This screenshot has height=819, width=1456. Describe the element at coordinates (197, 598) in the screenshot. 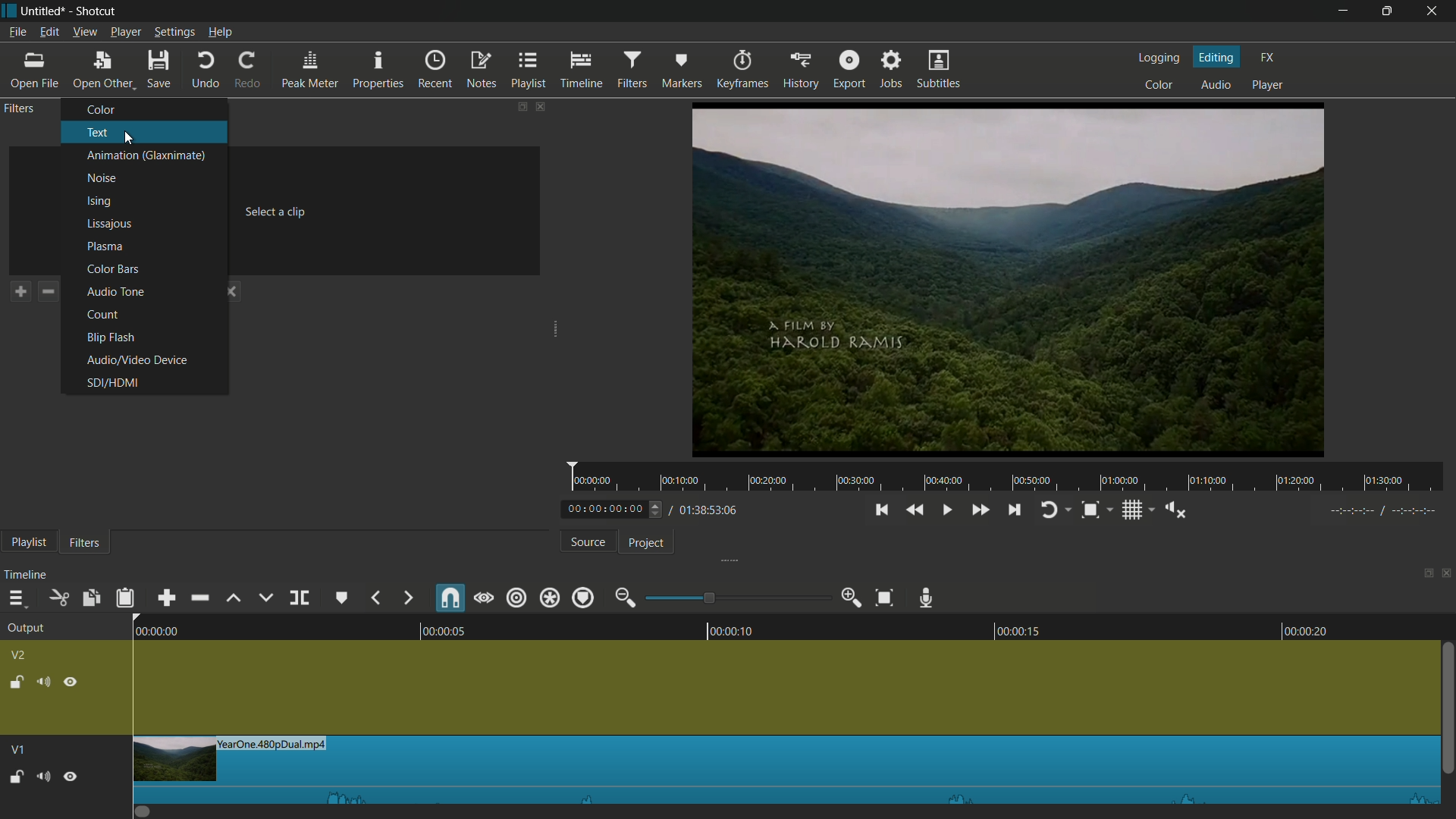

I see `ripple delete` at that location.